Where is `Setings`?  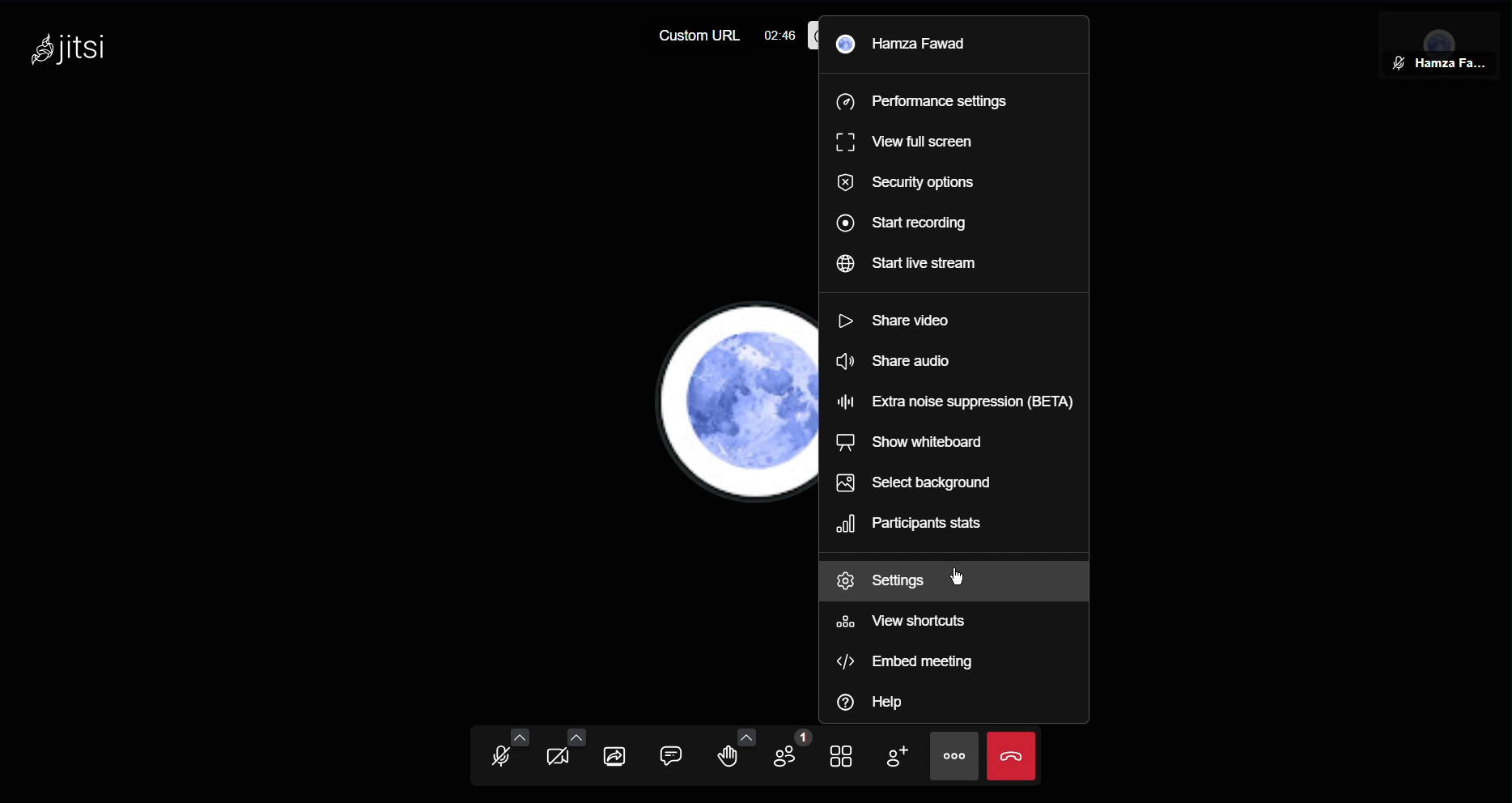
Setings is located at coordinates (886, 581).